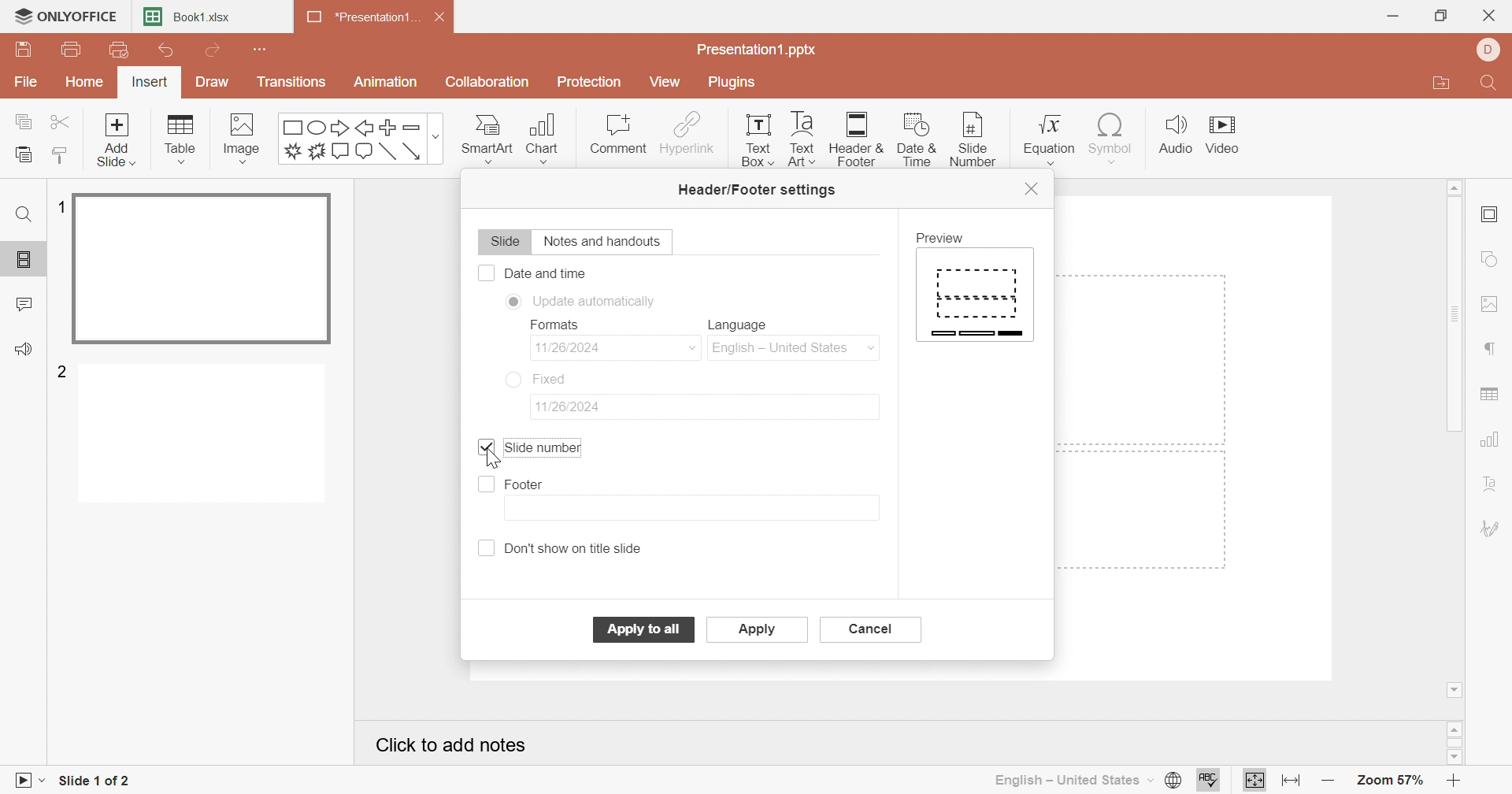 This screenshot has height=794, width=1512. Describe the element at coordinates (664, 81) in the screenshot. I see `View` at that location.